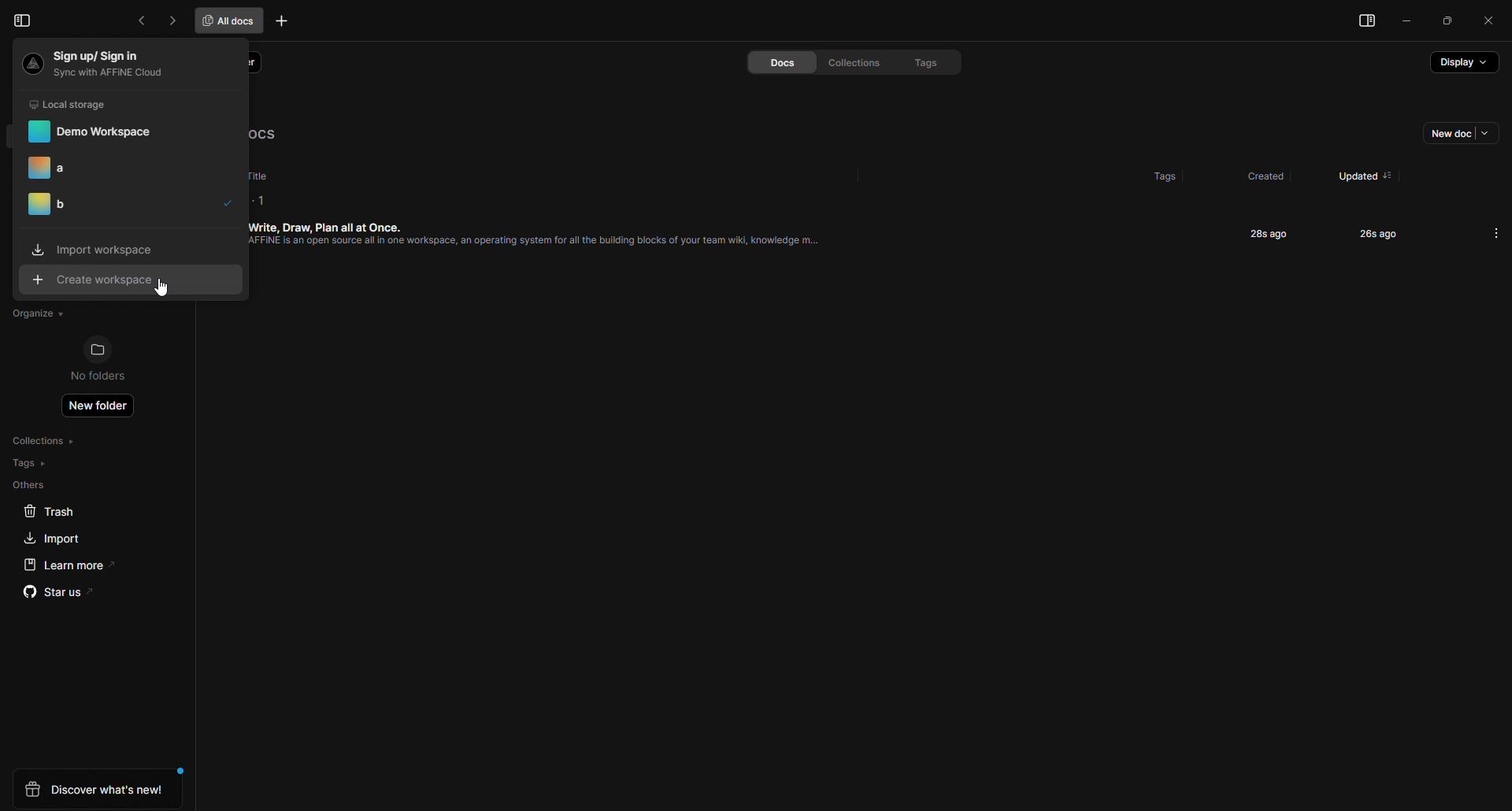  What do you see at coordinates (102, 409) in the screenshot?
I see `new folder` at bounding box center [102, 409].